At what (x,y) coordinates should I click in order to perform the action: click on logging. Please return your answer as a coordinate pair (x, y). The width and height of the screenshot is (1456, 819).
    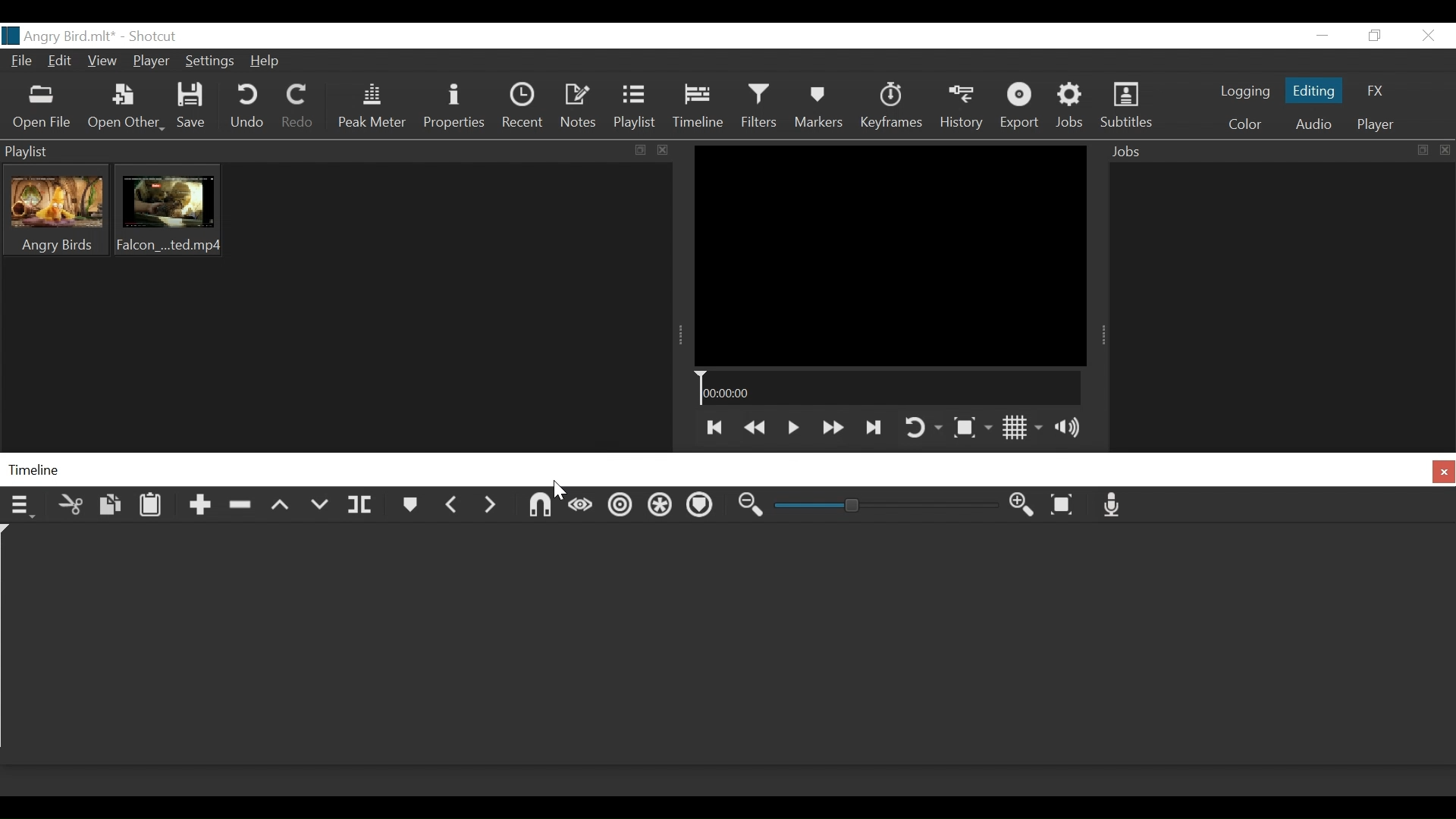
    Looking at the image, I should click on (1245, 93).